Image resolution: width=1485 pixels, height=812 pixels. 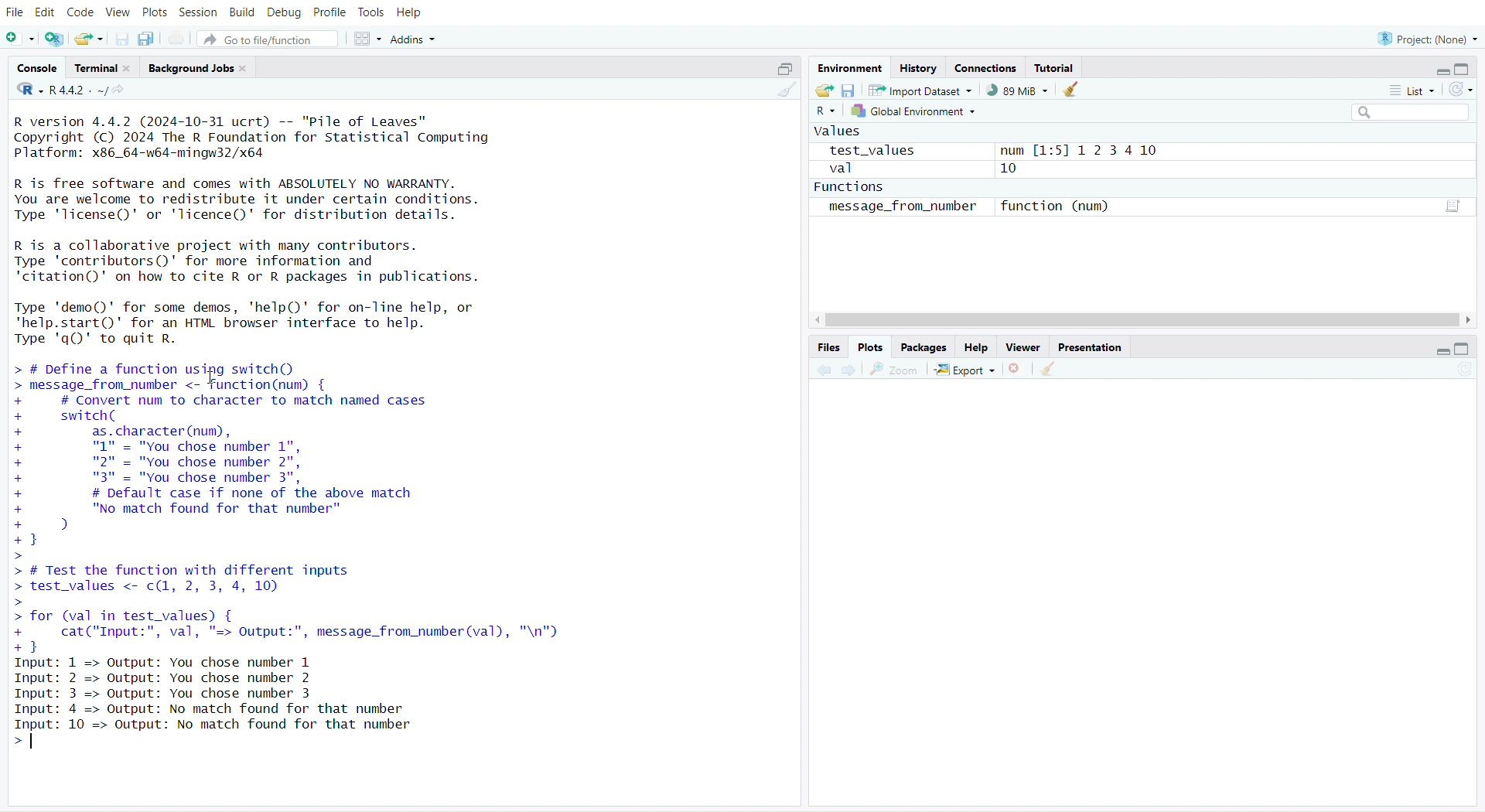 What do you see at coordinates (1425, 37) in the screenshot?
I see `Project (Note)` at bounding box center [1425, 37].